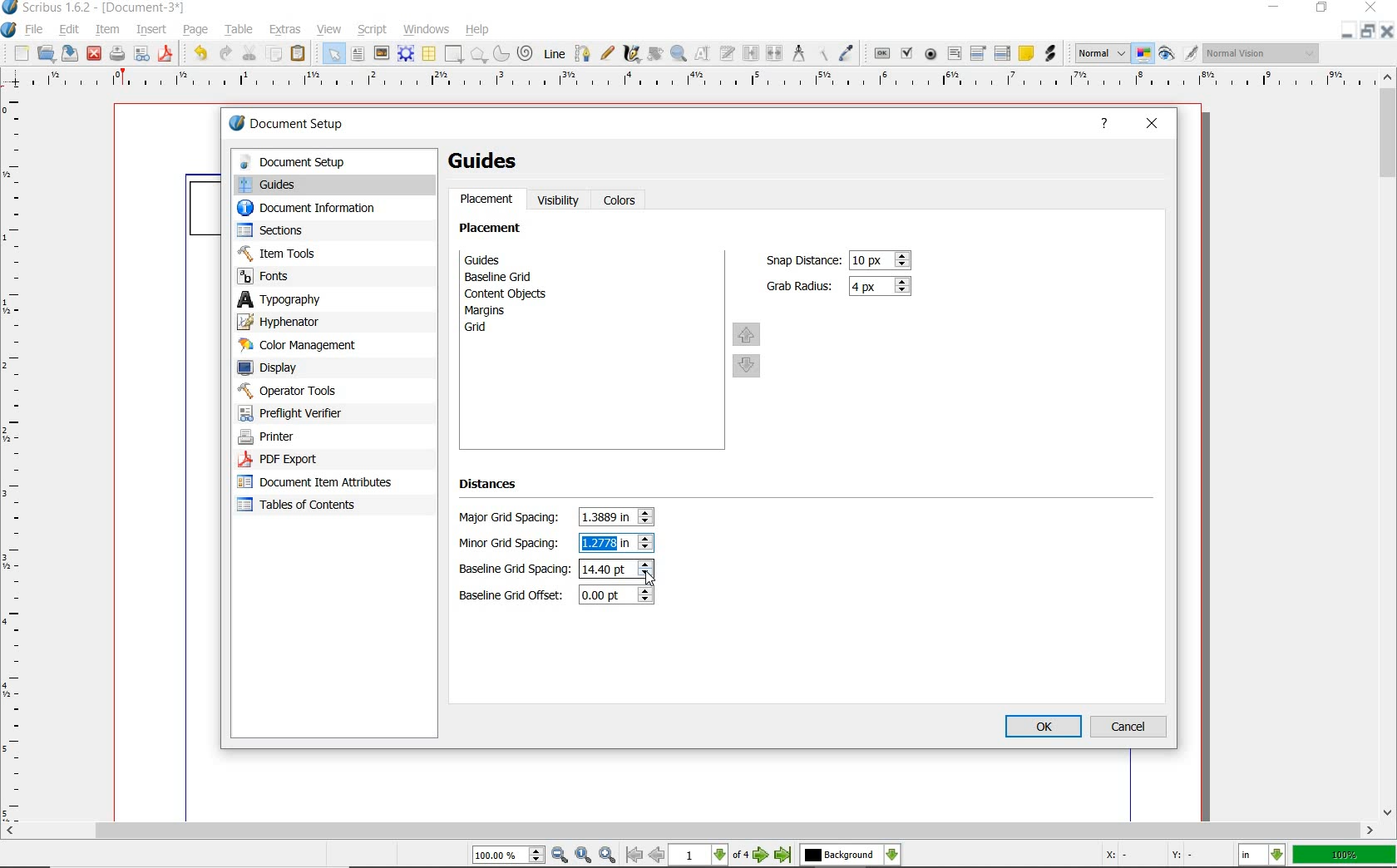  I want to click on pdf push button, so click(881, 52).